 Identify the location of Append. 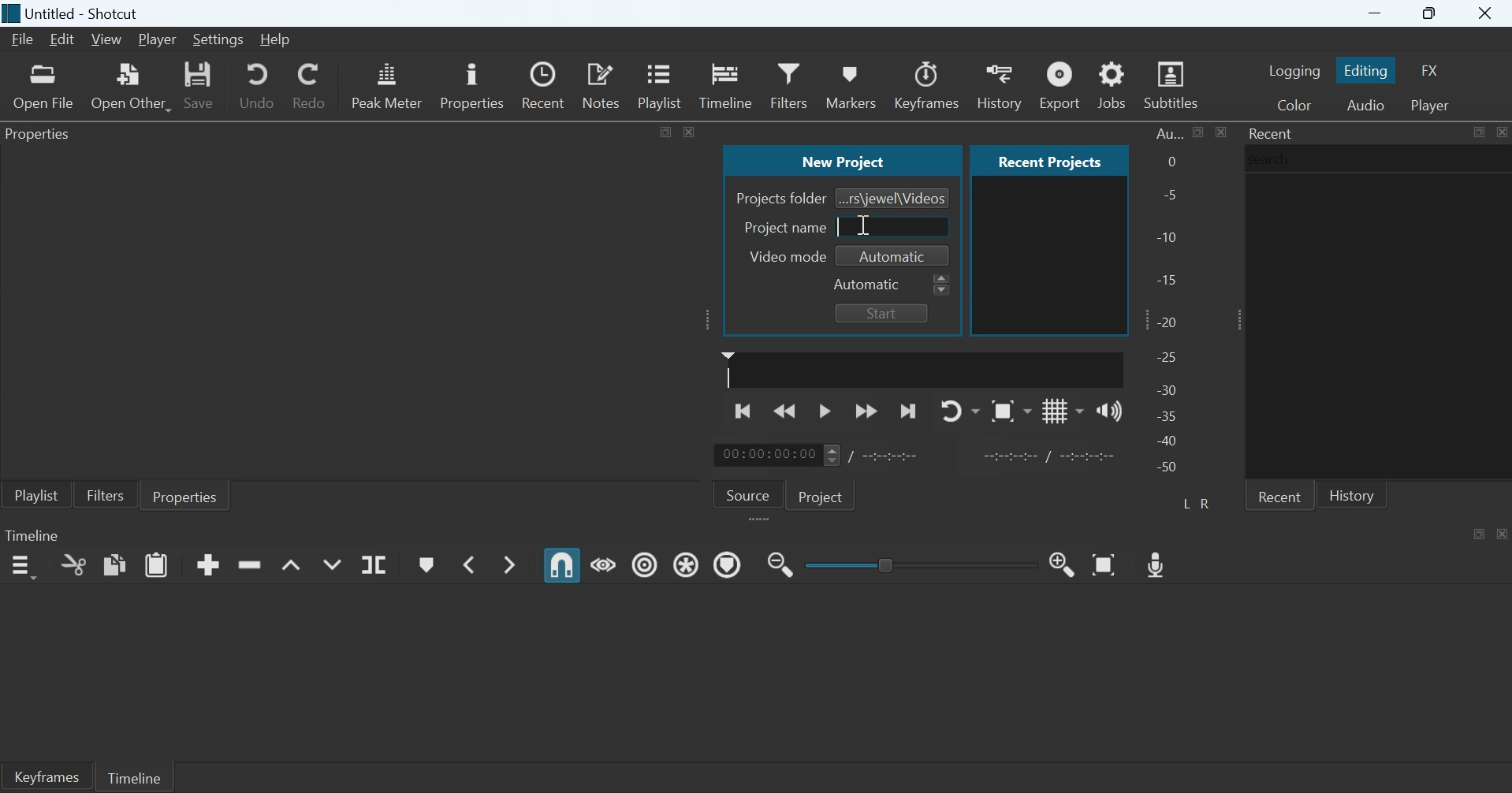
(208, 564).